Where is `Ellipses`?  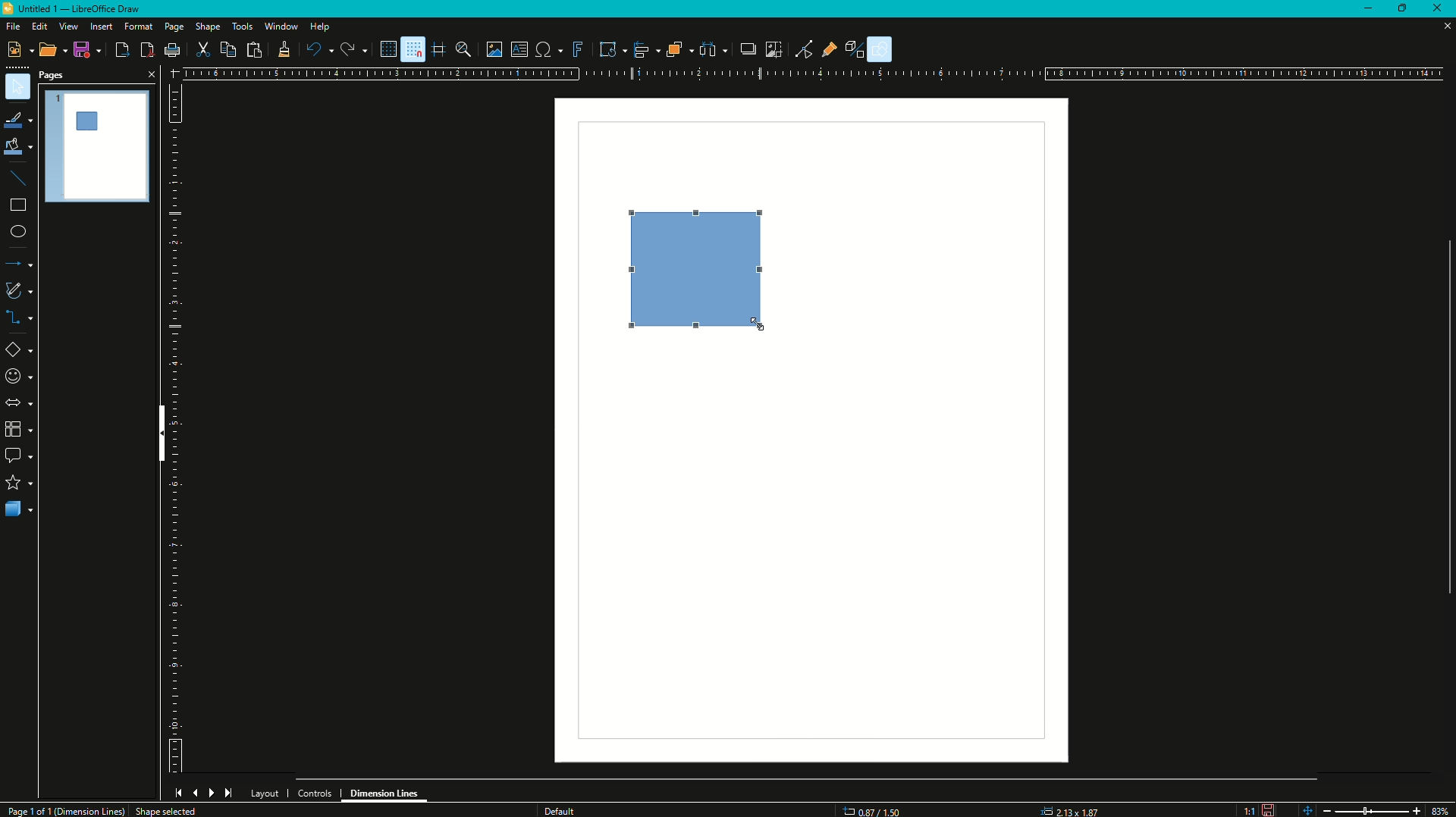
Ellipses is located at coordinates (17, 233).